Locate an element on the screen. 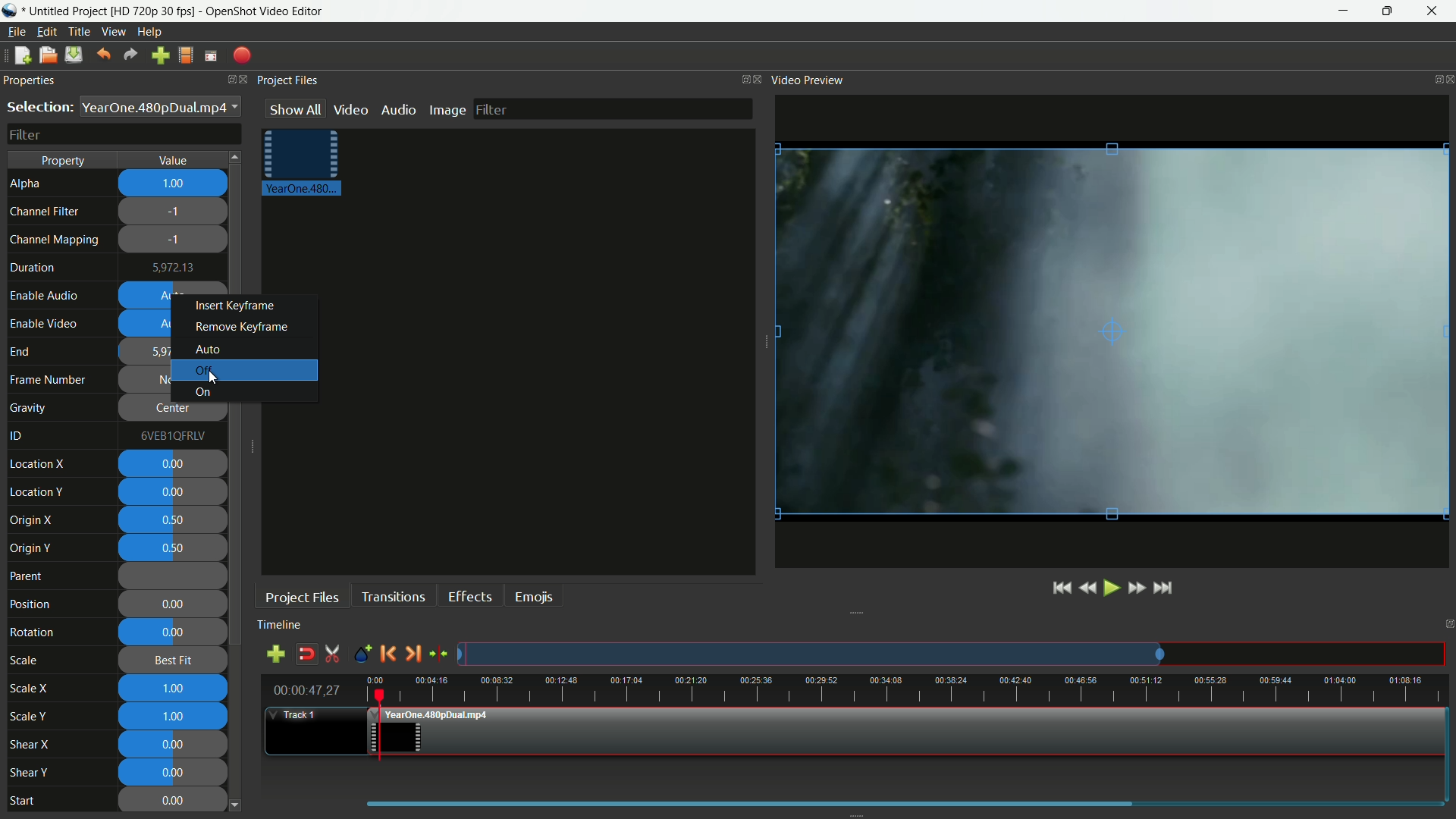 This screenshot has width=1456, height=819. alpha is located at coordinates (28, 184).